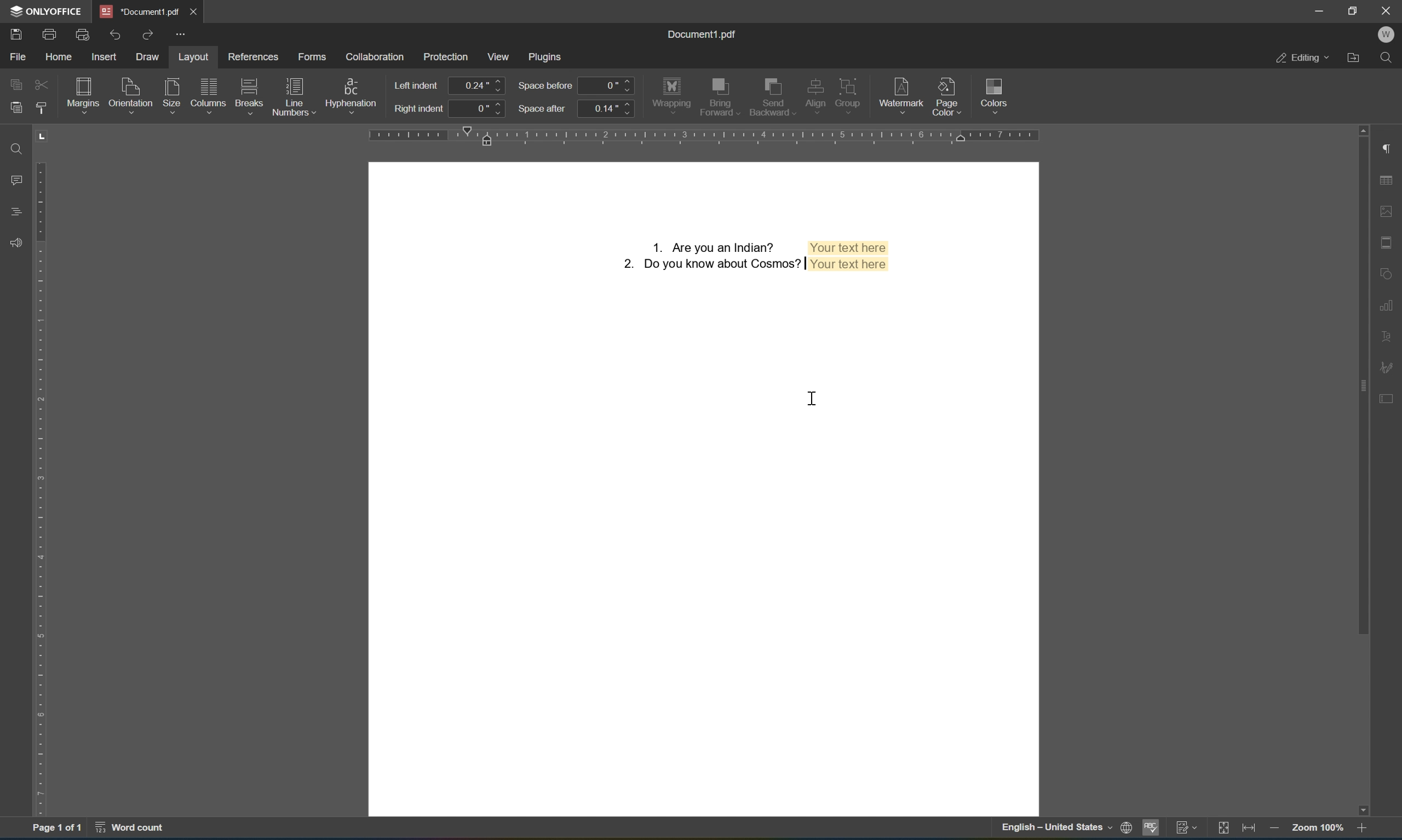 The image size is (1402, 840). Describe the element at coordinates (185, 36) in the screenshot. I see `customize quick access toolbar` at that location.